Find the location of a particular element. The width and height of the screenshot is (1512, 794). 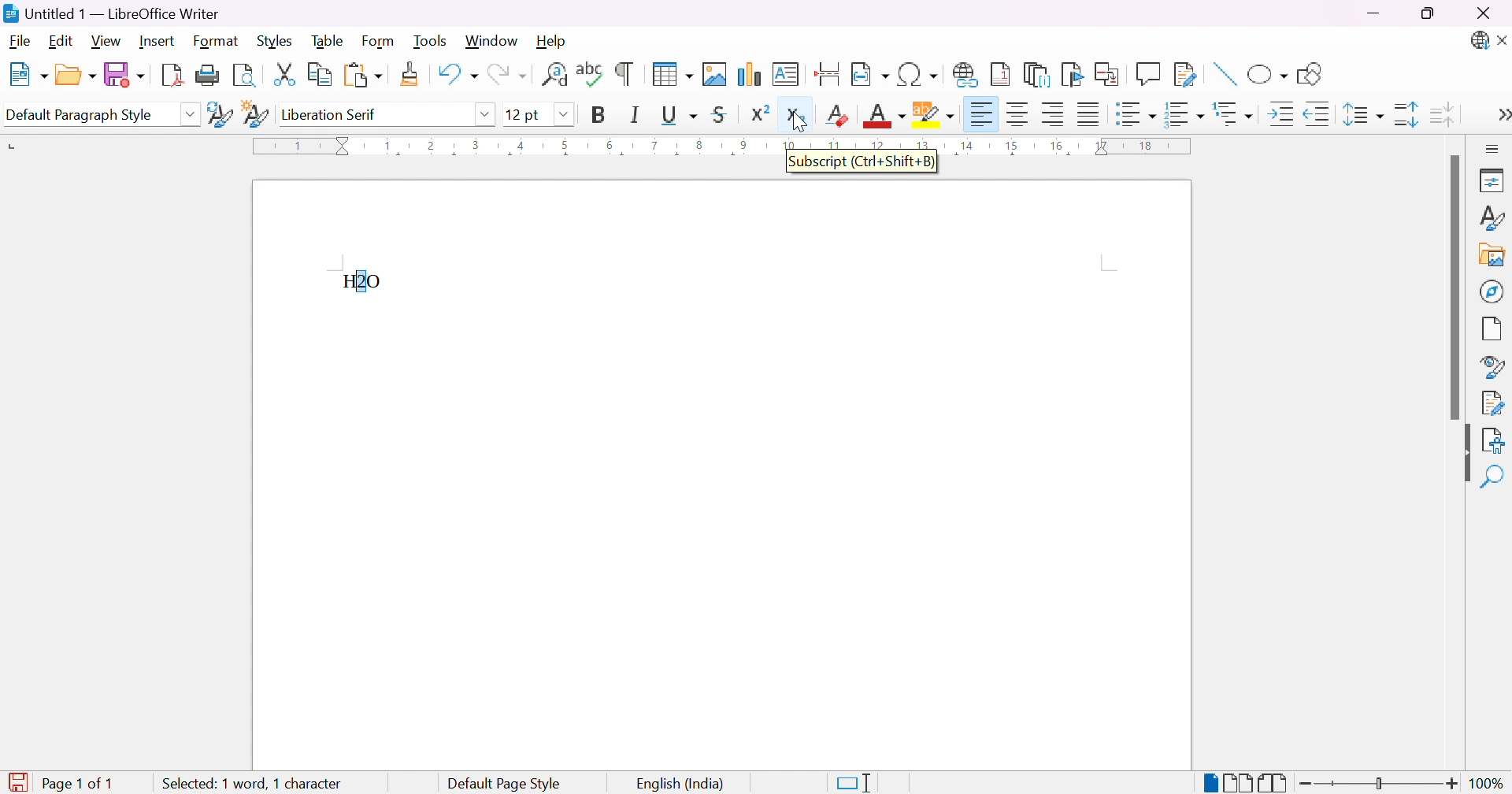

Update selected style is located at coordinates (220, 114).